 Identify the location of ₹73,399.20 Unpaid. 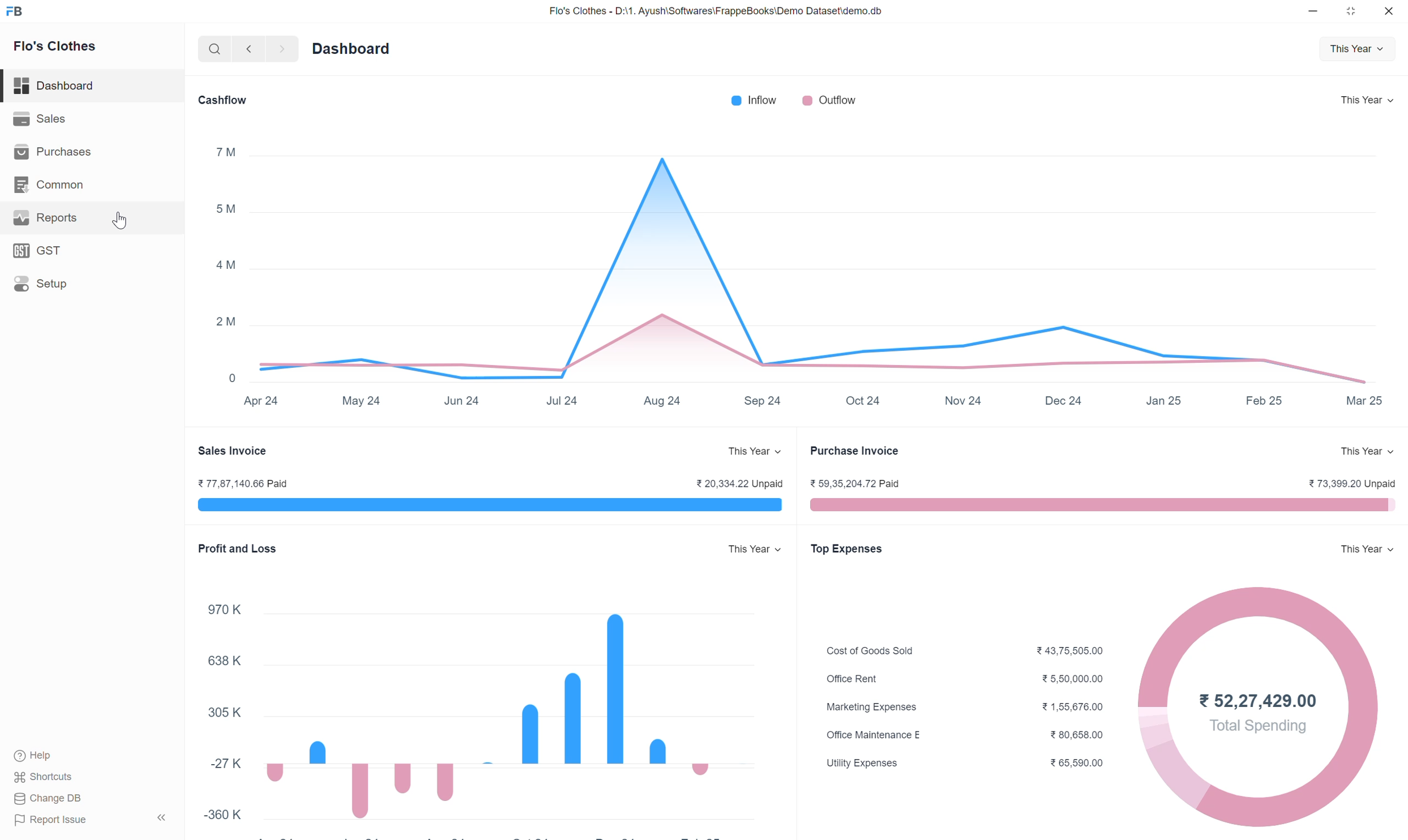
(1347, 482).